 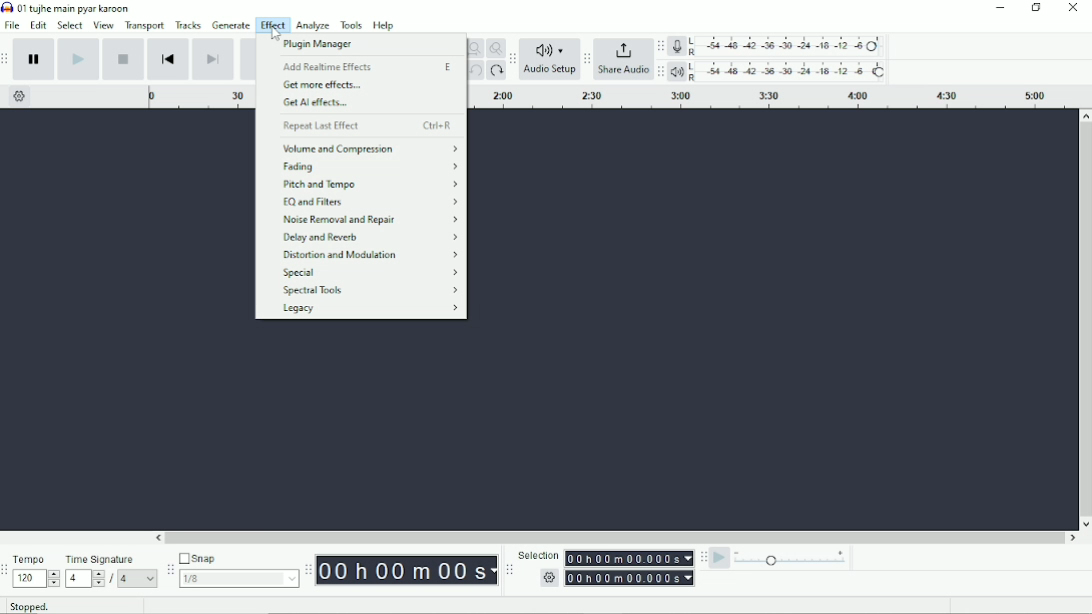 What do you see at coordinates (143, 26) in the screenshot?
I see `Transport` at bounding box center [143, 26].